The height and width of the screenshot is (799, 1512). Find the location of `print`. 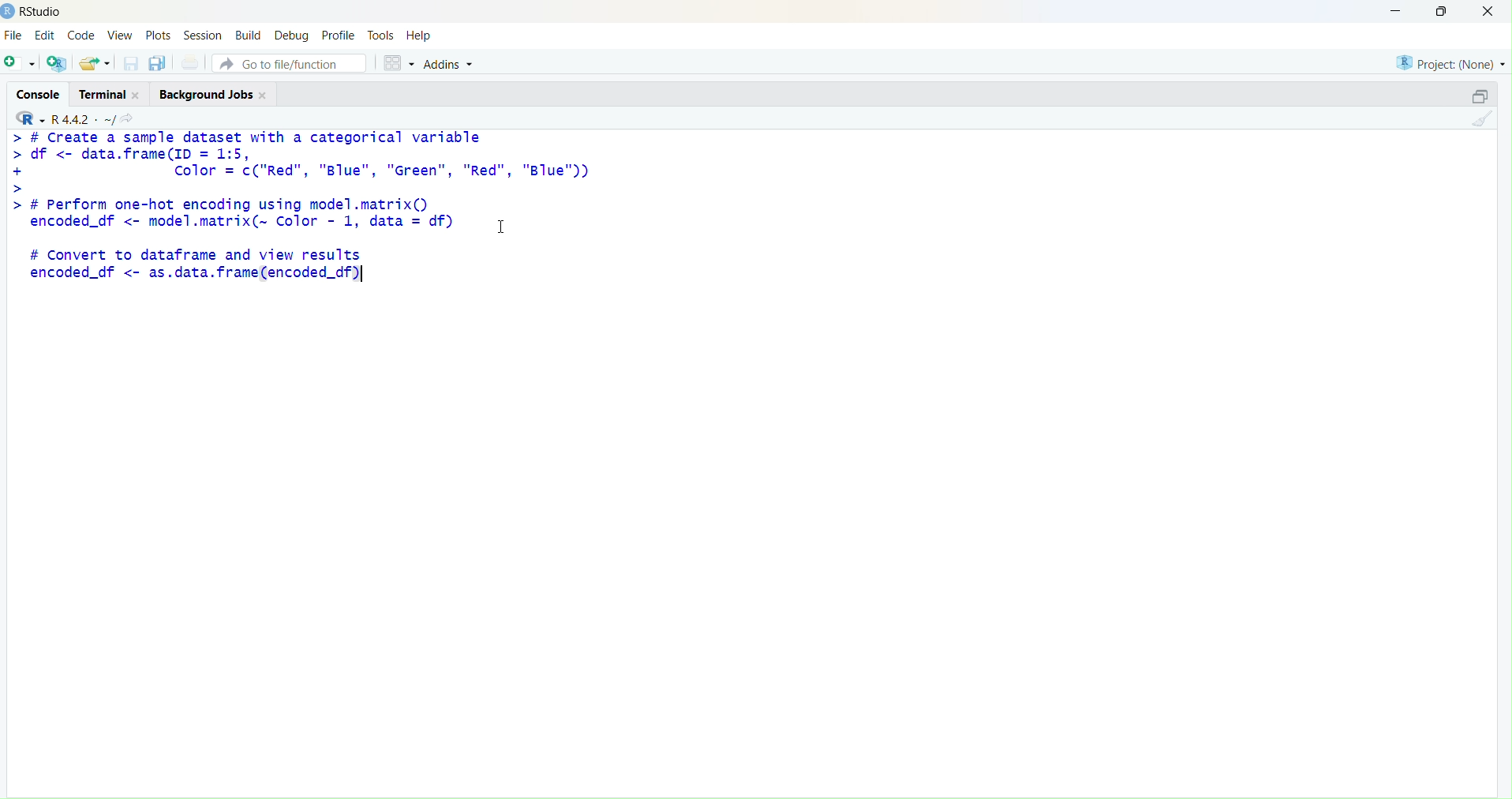

print is located at coordinates (193, 62).